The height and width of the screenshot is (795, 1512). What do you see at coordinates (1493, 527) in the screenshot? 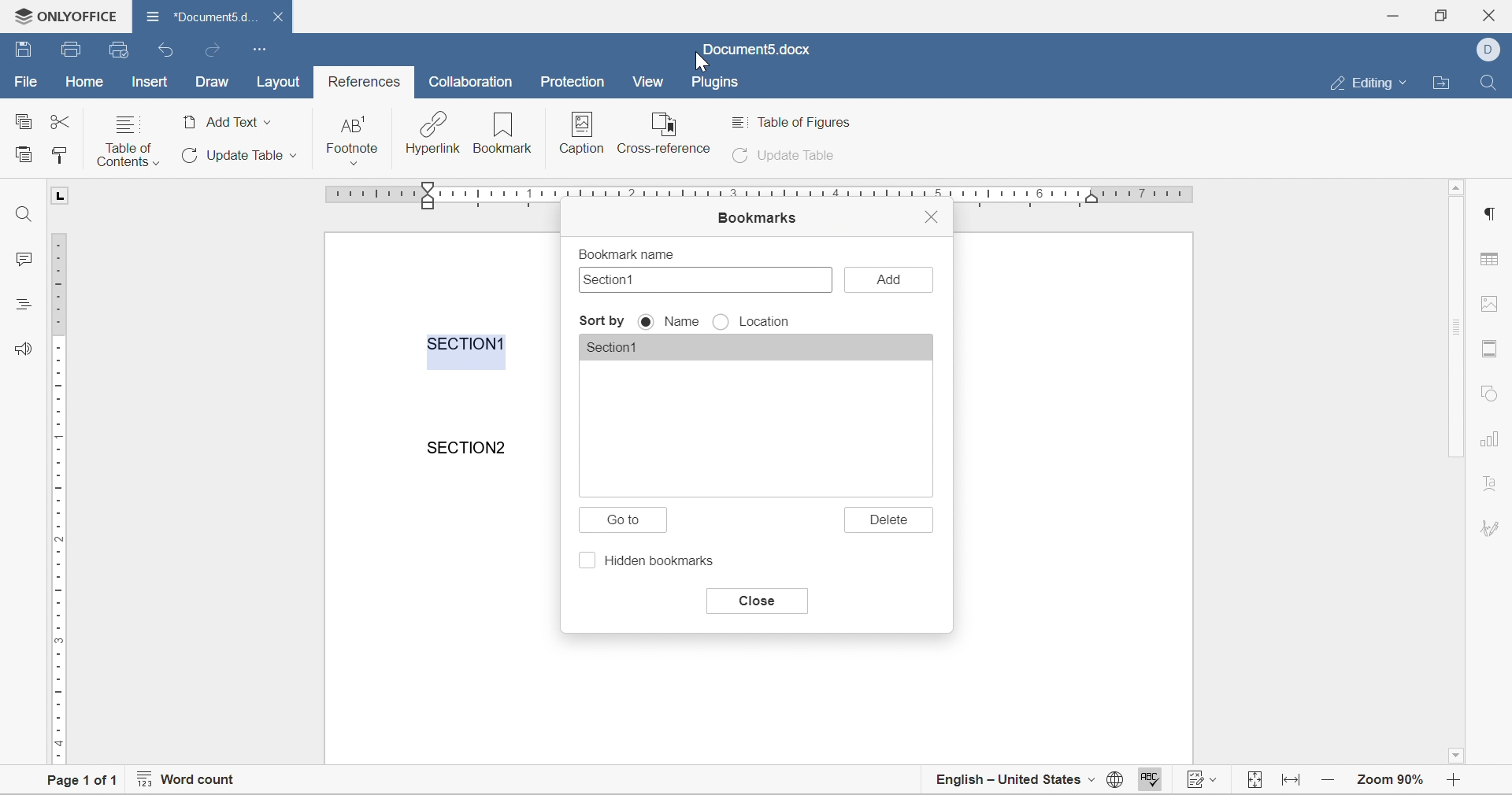
I see `signature settings` at bounding box center [1493, 527].